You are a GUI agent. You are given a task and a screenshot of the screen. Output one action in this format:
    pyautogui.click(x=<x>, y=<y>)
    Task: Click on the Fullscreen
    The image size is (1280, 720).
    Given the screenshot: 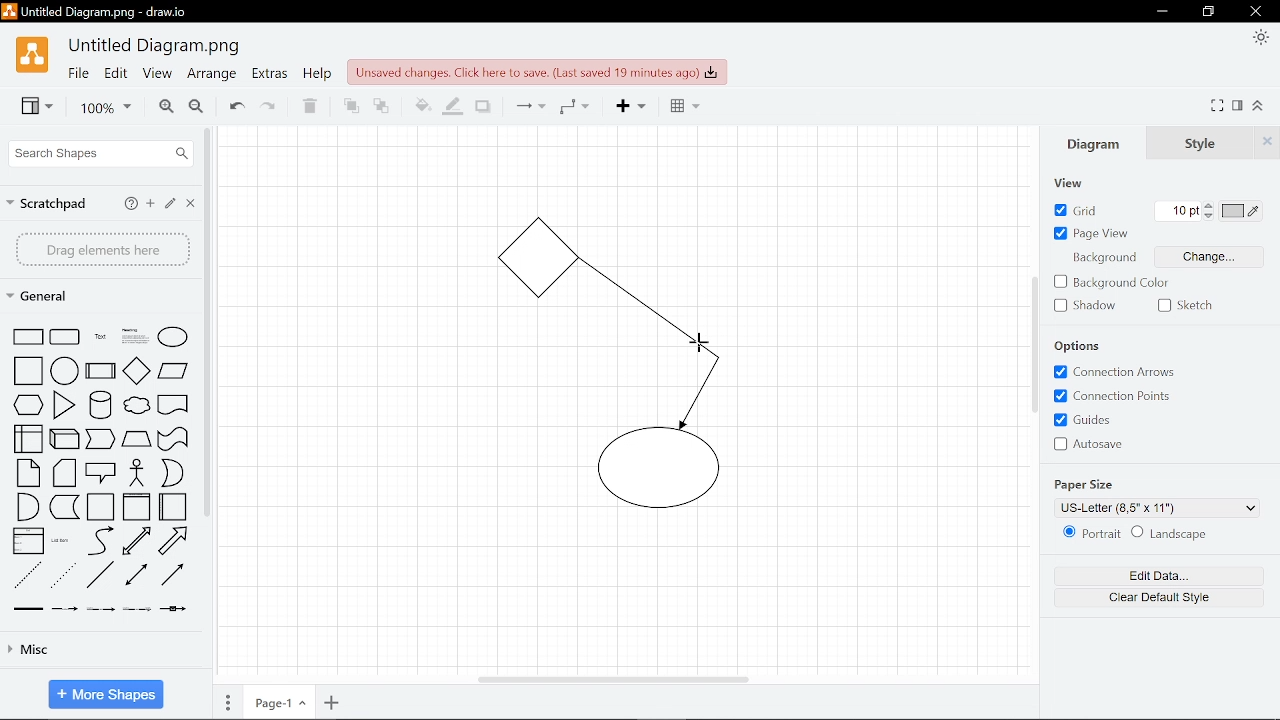 What is the action you would take?
    pyautogui.click(x=1219, y=105)
    